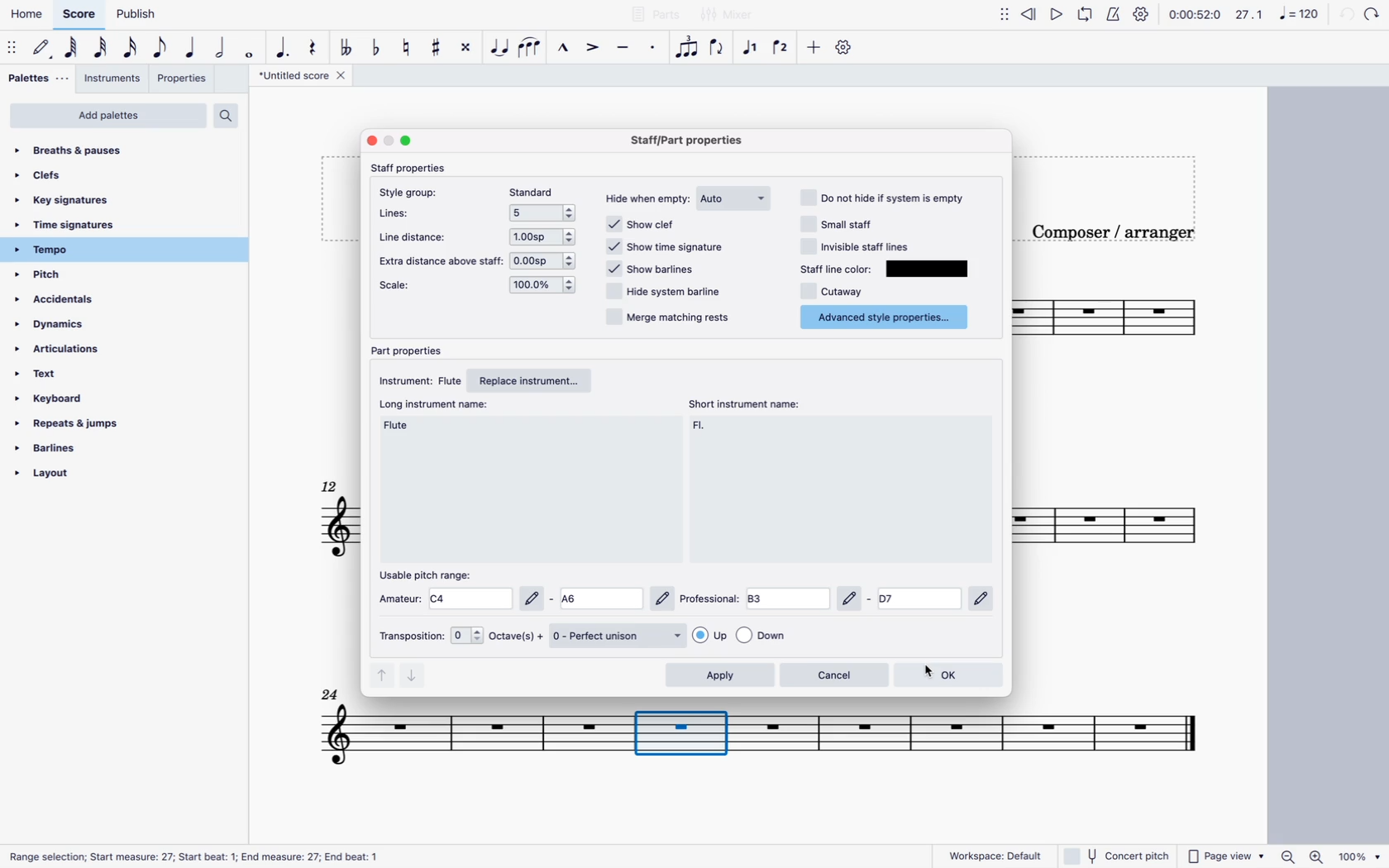 The width and height of the screenshot is (1389, 868). Describe the element at coordinates (735, 198) in the screenshot. I see `auto` at that location.